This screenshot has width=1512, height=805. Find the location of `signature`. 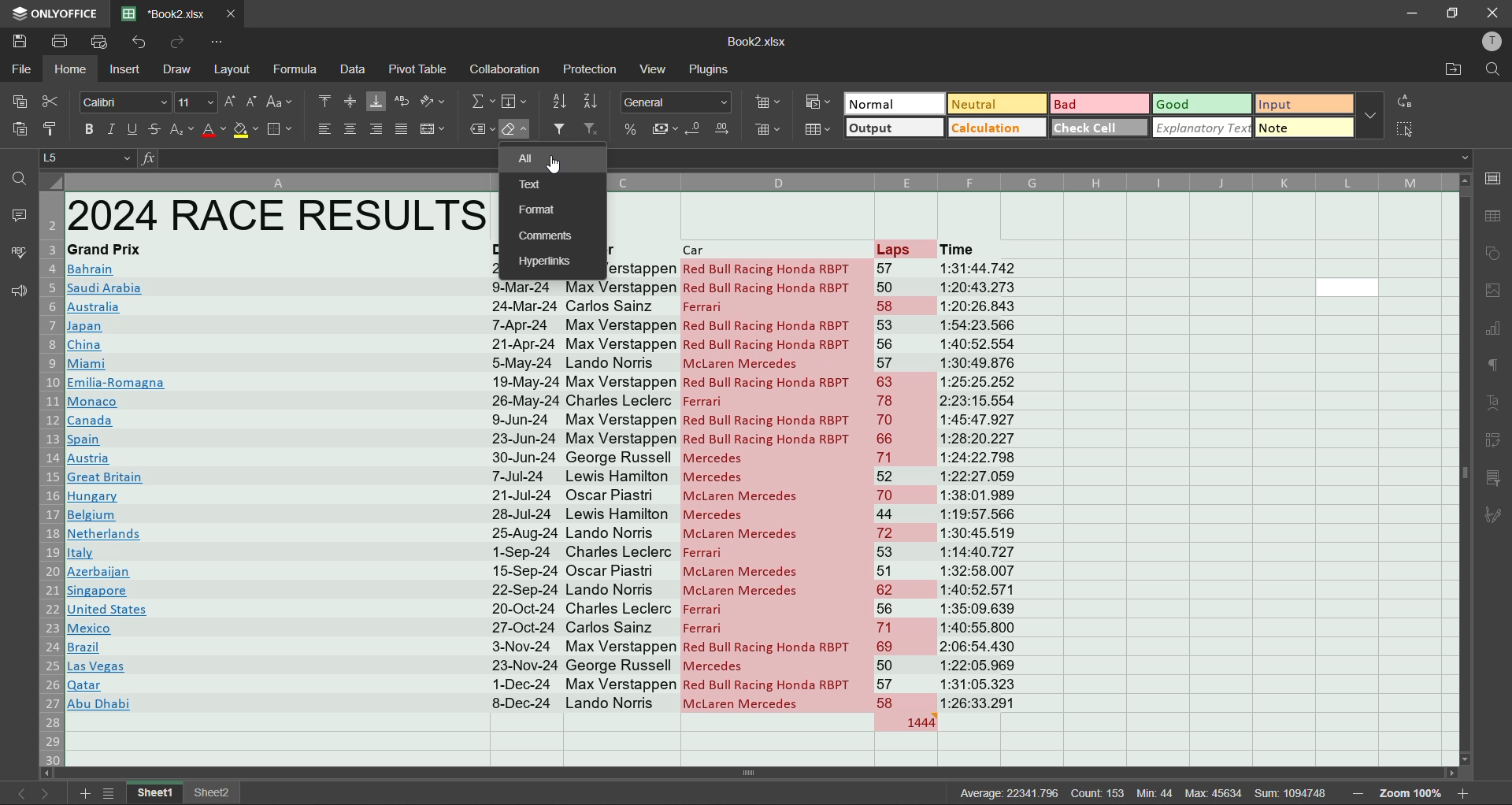

signature is located at coordinates (1492, 517).